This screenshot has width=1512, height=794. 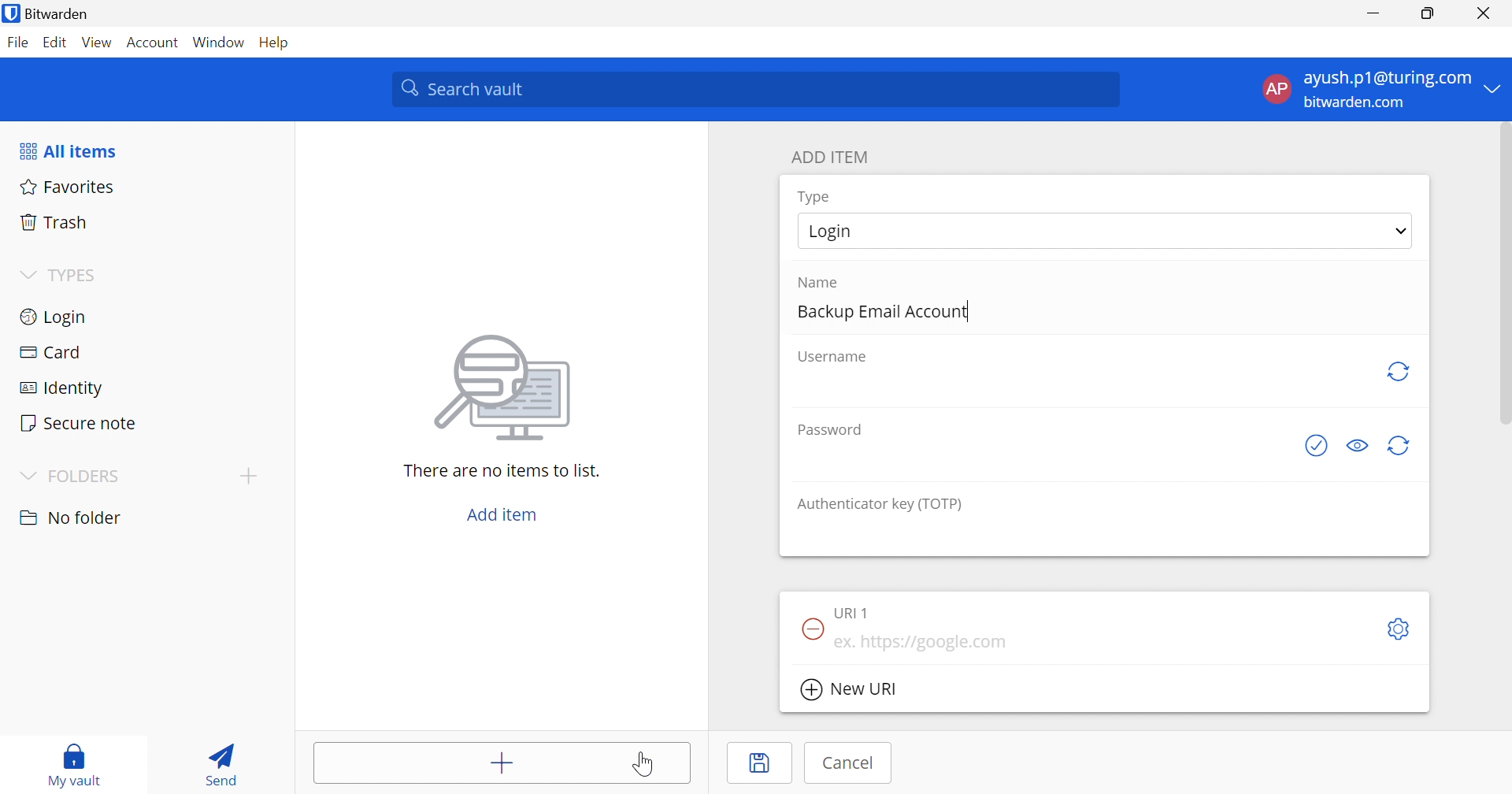 What do you see at coordinates (816, 198) in the screenshot?
I see `Type` at bounding box center [816, 198].